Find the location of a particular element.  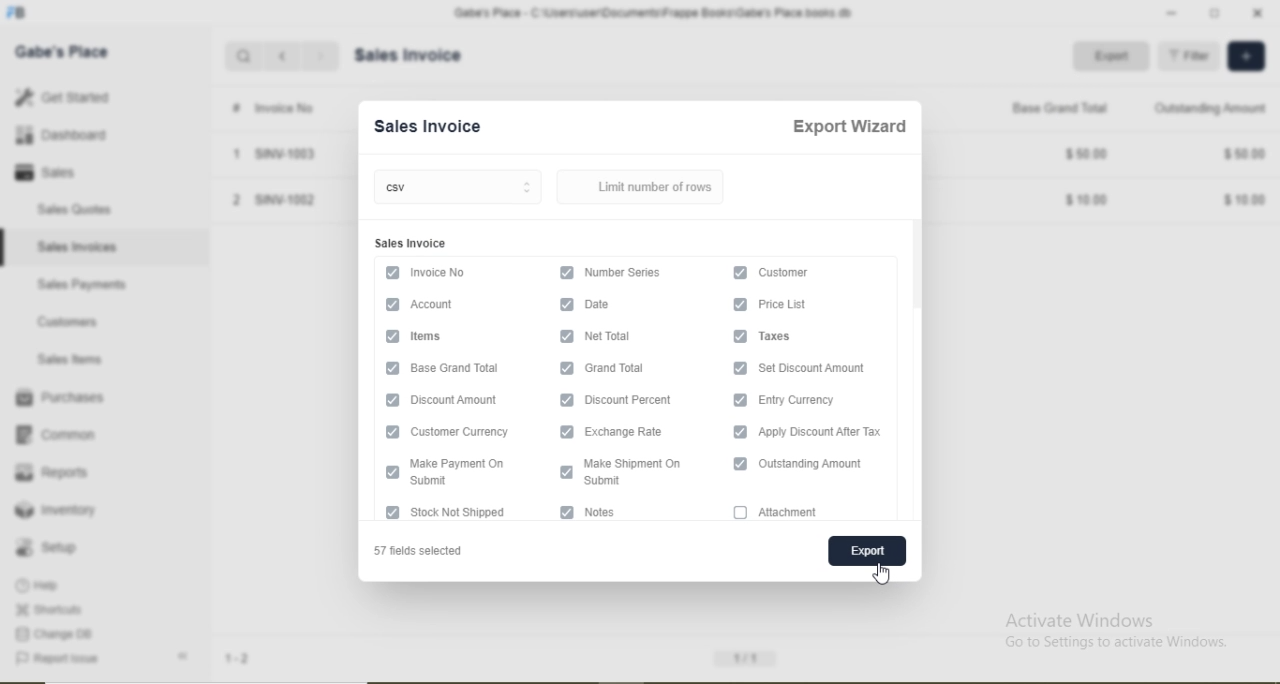

I Fep————
Submit is located at coordinates (467, 473).